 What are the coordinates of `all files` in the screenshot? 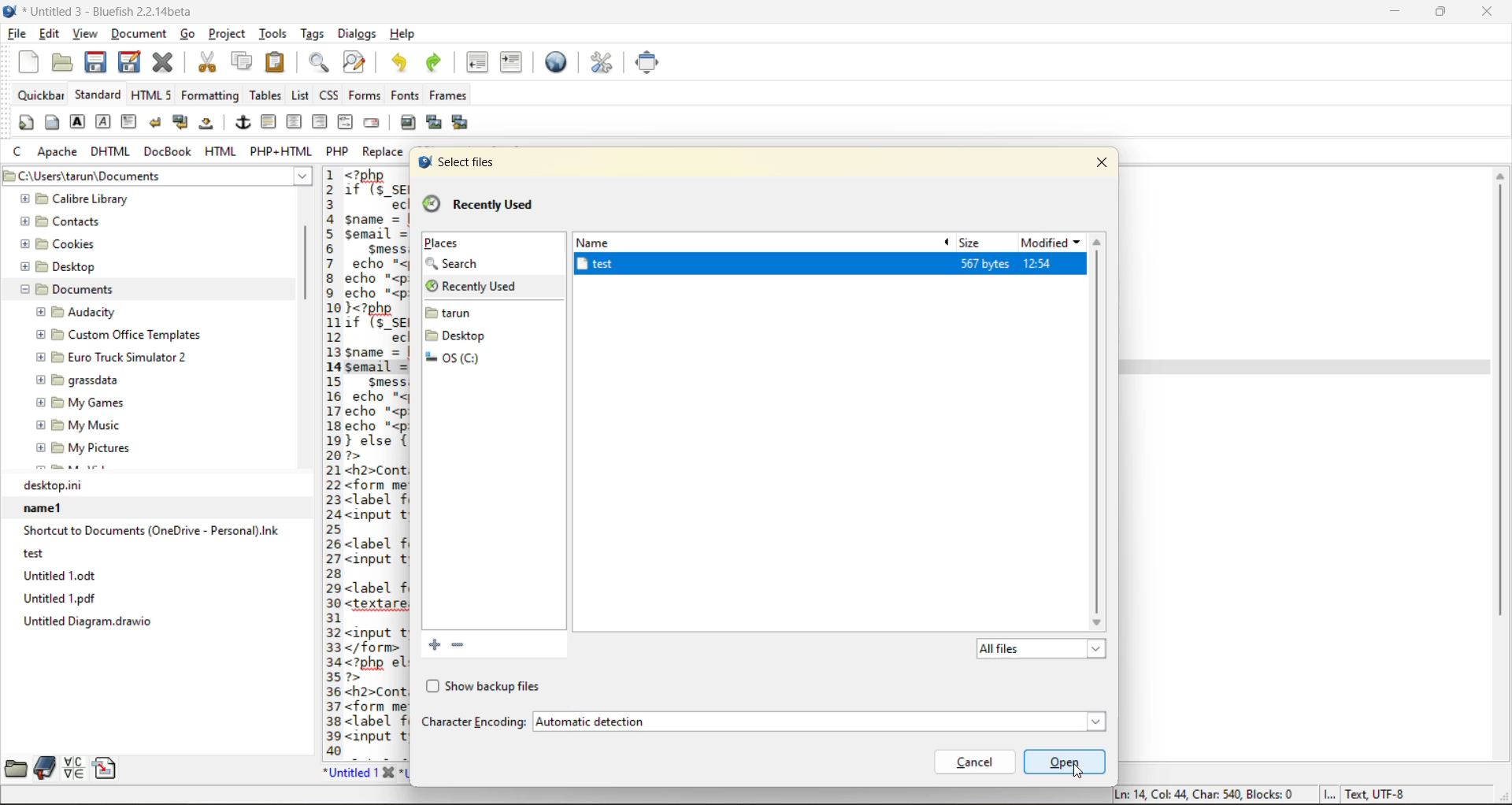 It's located at (1037, 651).